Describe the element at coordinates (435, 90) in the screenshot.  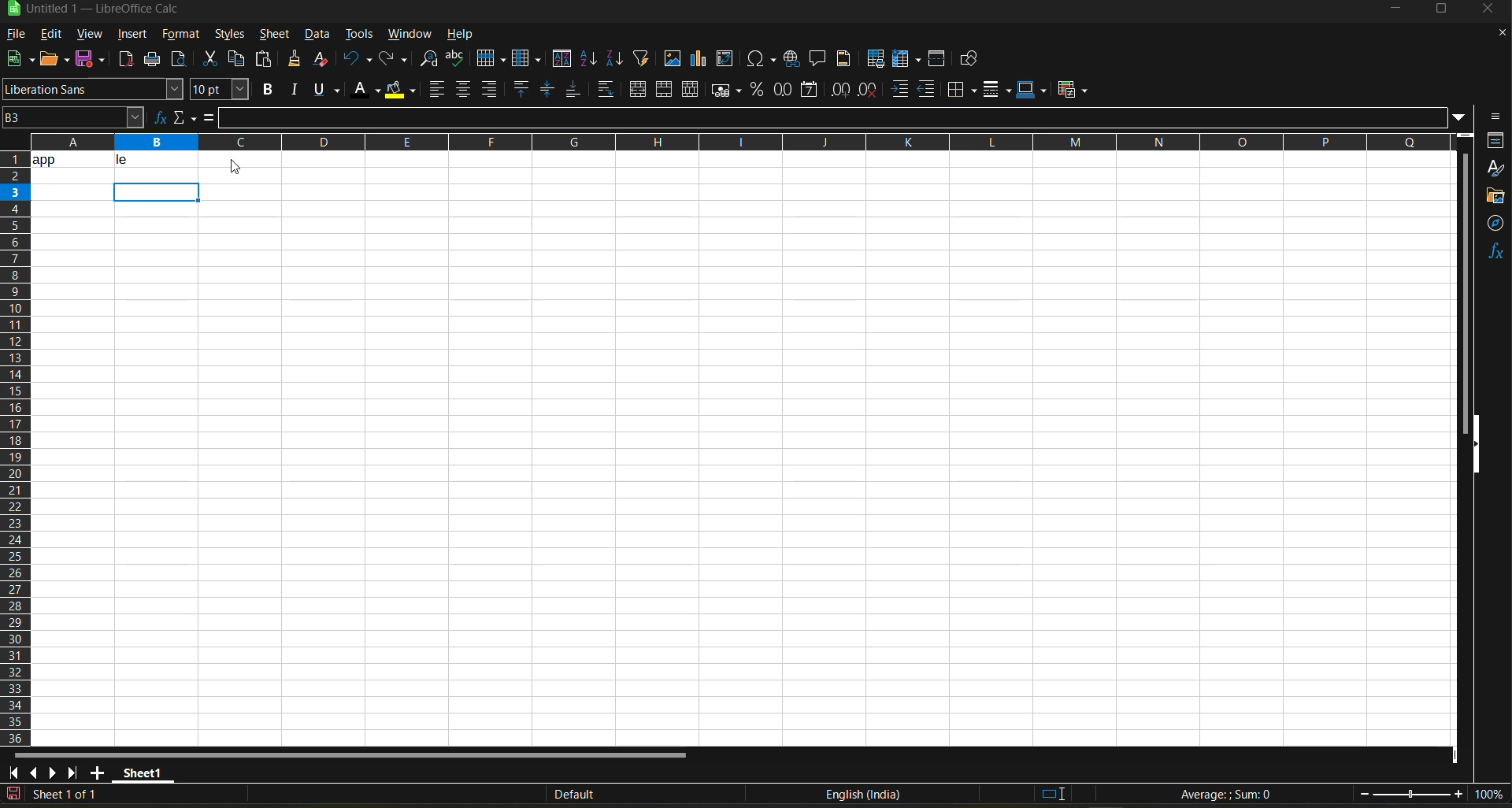
I see `align left` at that location.